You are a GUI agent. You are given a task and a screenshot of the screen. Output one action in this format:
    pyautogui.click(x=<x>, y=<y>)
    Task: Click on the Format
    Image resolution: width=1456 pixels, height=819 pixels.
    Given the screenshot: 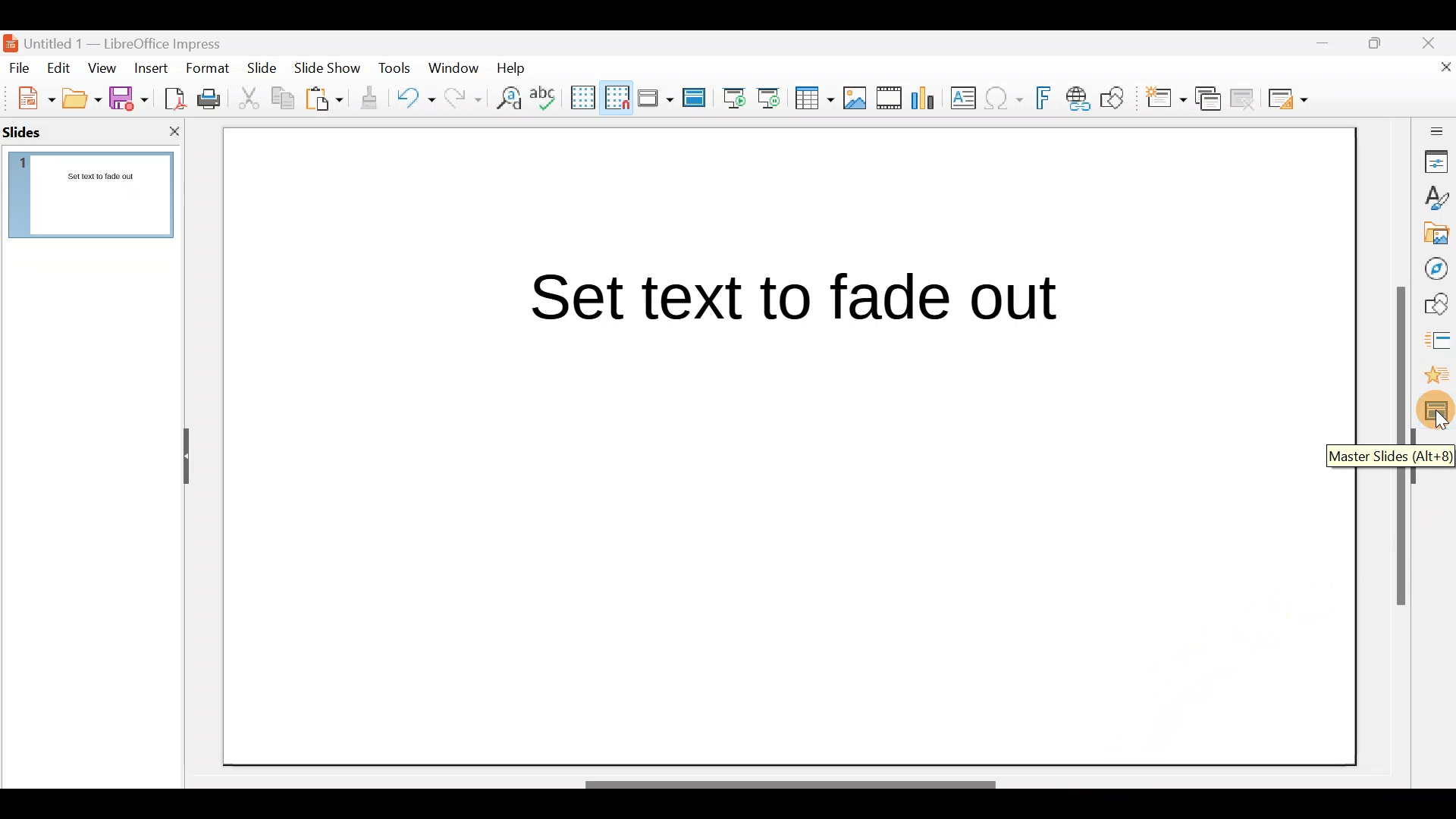 What is the action you would take?
    pyautogui.click(x=206, y=67)
    